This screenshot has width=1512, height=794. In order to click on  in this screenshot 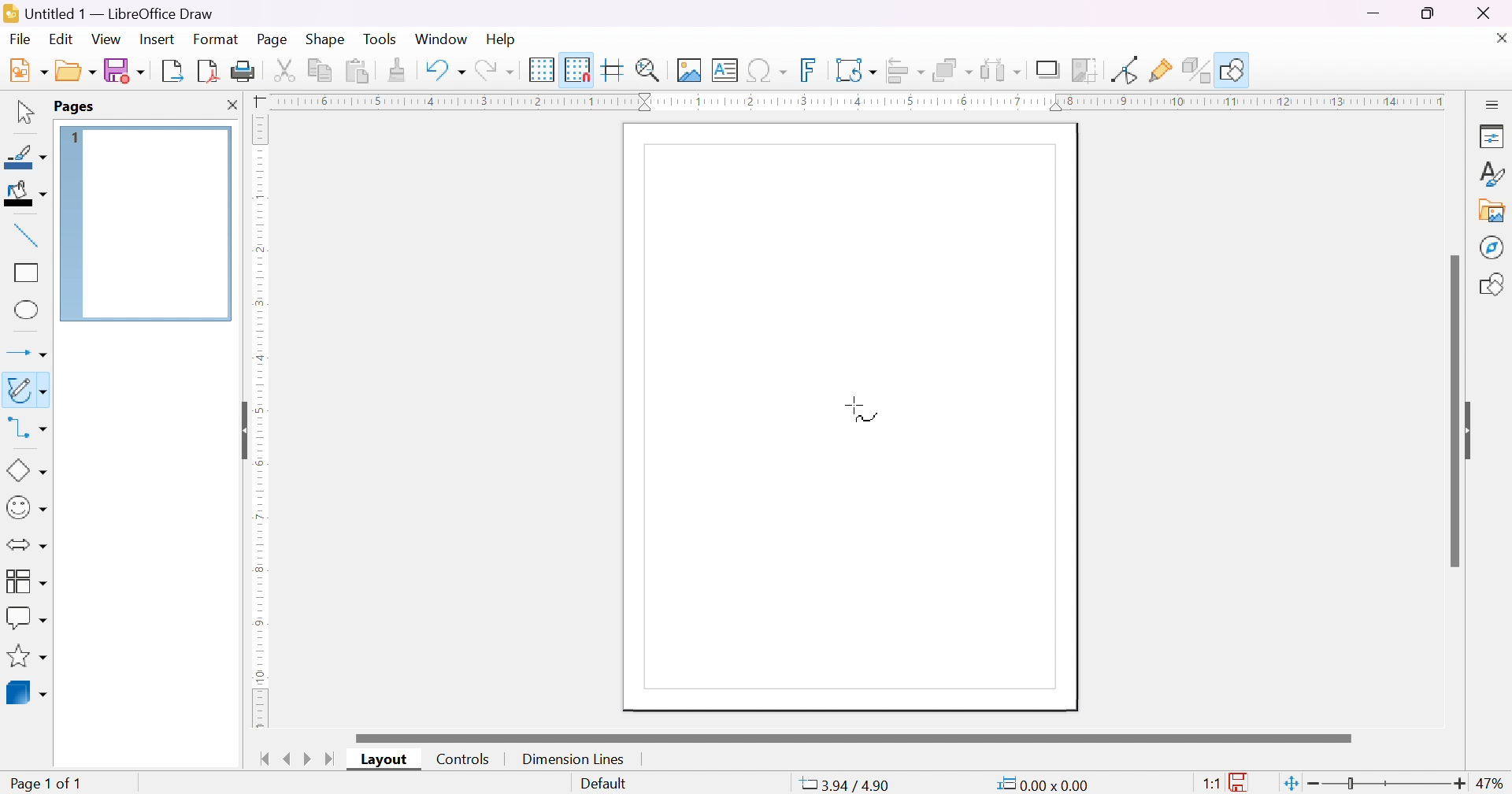, I will do `click(21, 39)`.